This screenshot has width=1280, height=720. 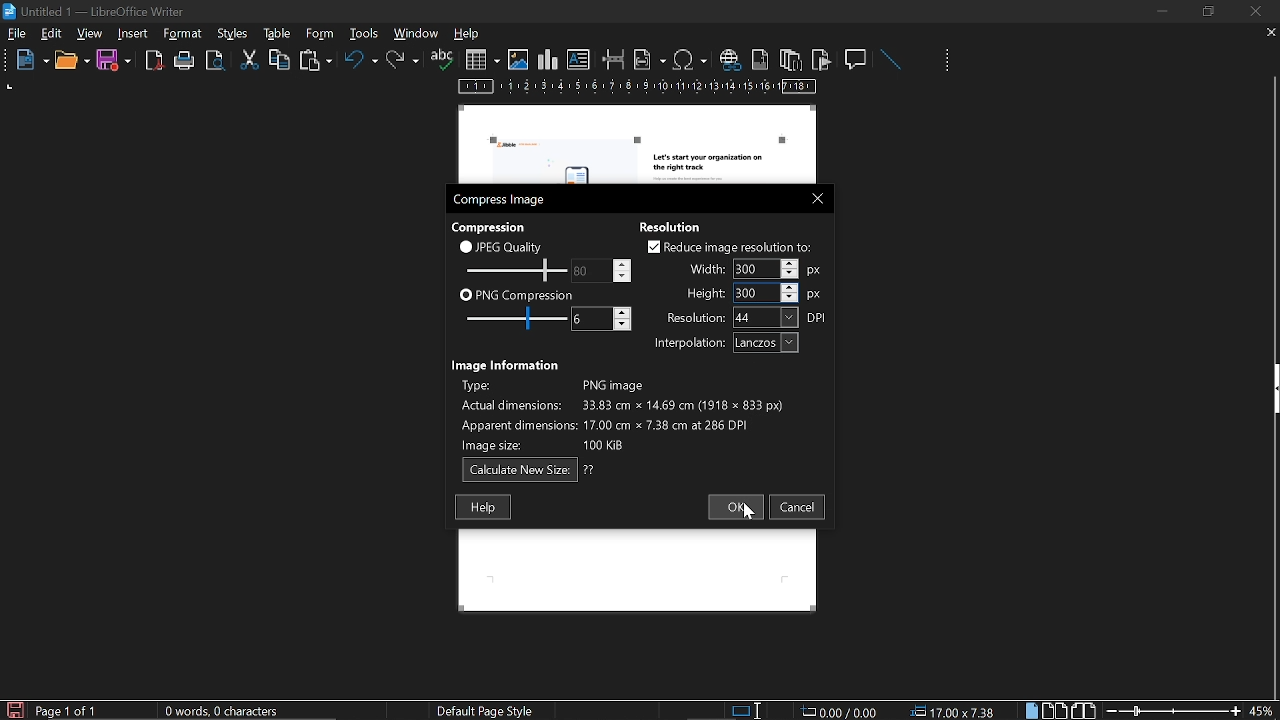 I want to click on calculate new size, so click(x=529, y=470).